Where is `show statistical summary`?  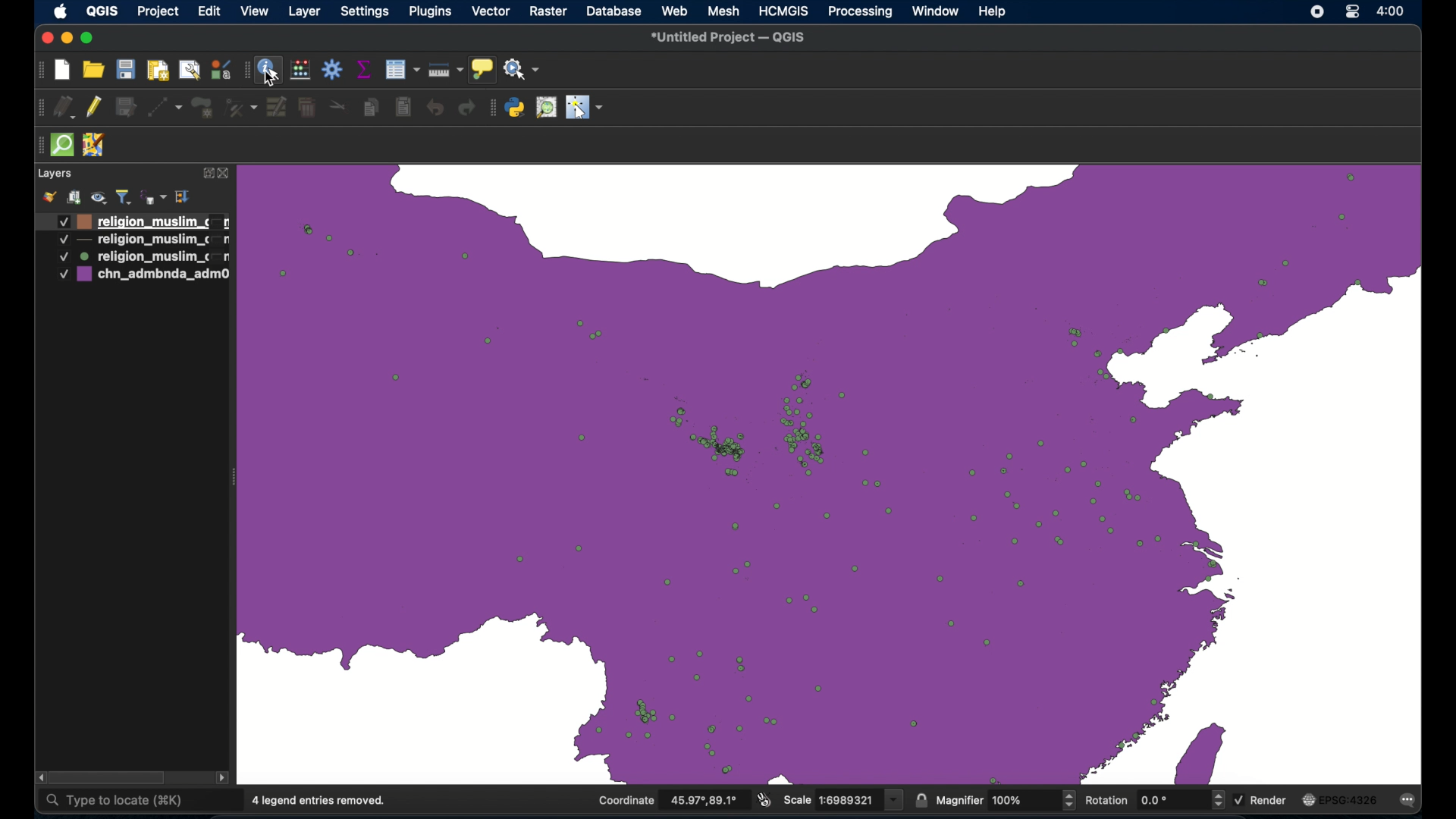 show statistical summary is located at coordinates (365, 69).